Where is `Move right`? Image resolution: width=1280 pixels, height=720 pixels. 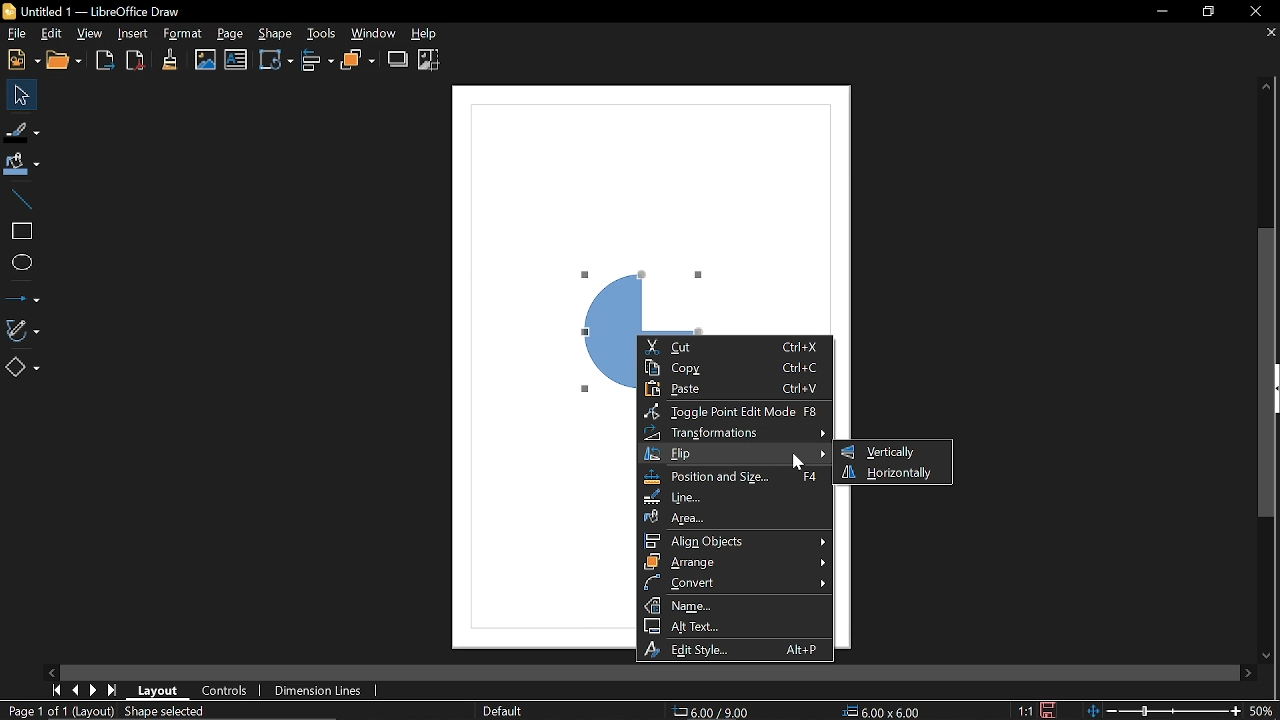 Move right is located at coordinates (1251, 673).